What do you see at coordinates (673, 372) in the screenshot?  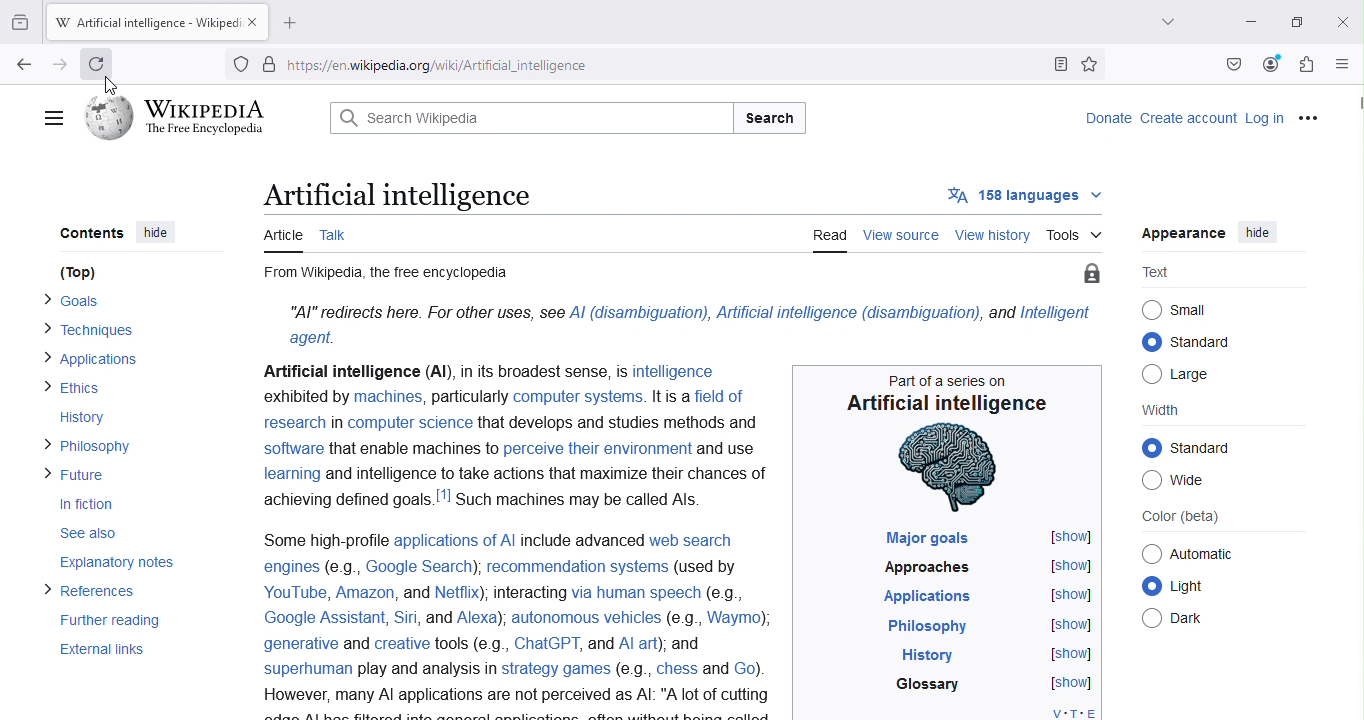 I see `intelligence` at bounding box center [673, 372].